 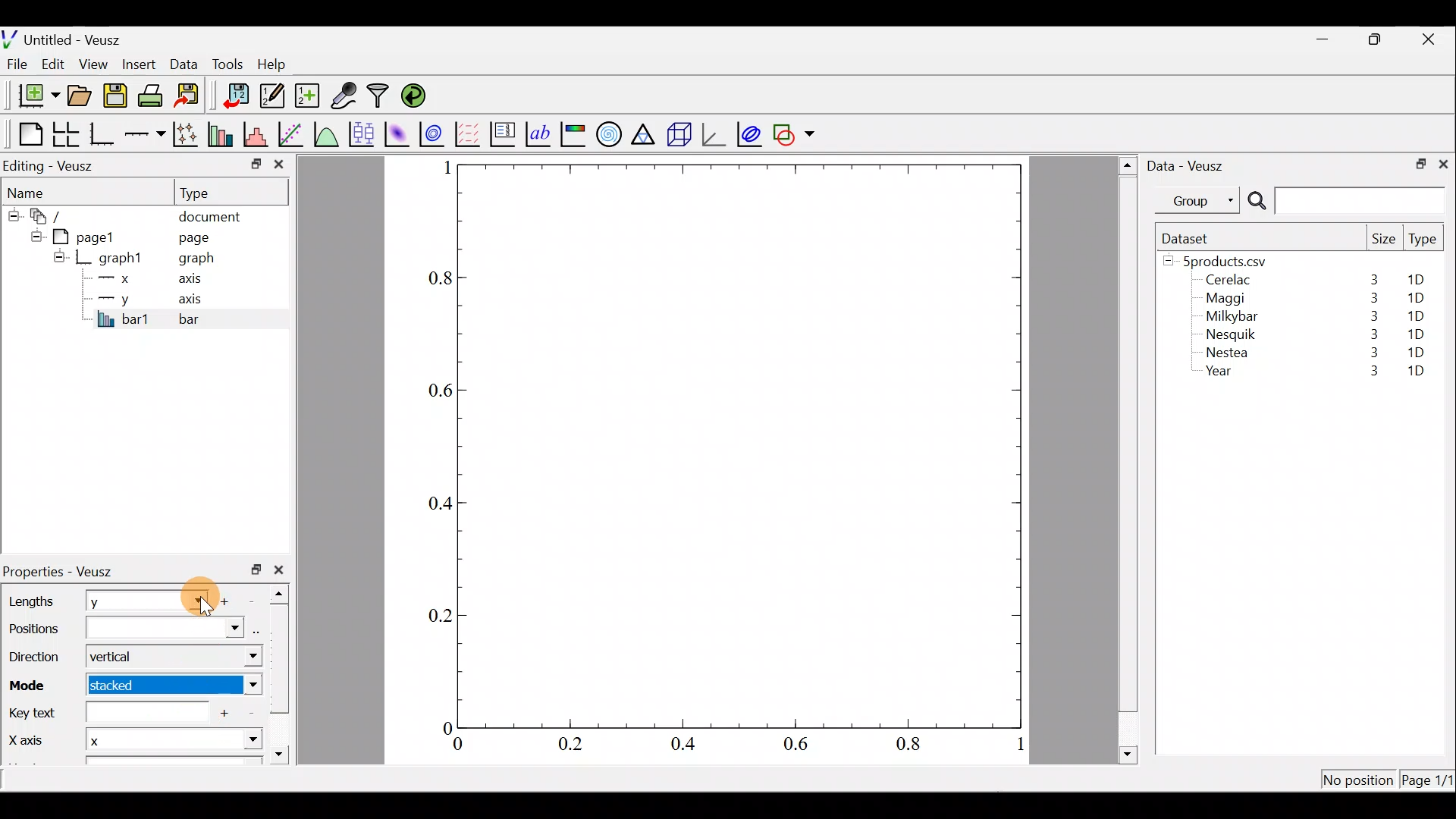 What do you see at coordinates (1416, 352) in the screenshot?
I see `1D` at bounding box center [1416, 352].